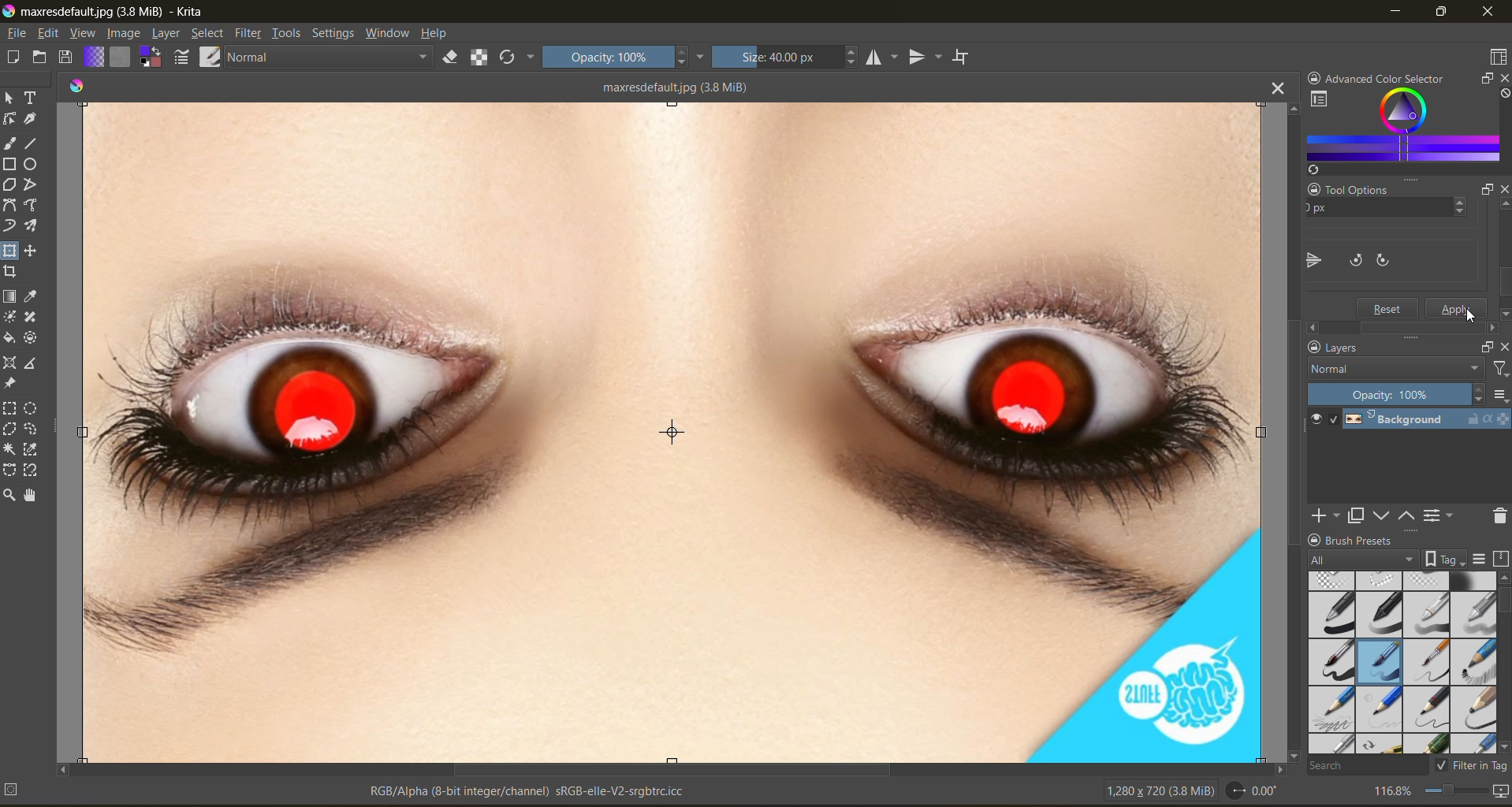 The image size is (1512, 807). I want to click on close docker, so click(1499, 189).